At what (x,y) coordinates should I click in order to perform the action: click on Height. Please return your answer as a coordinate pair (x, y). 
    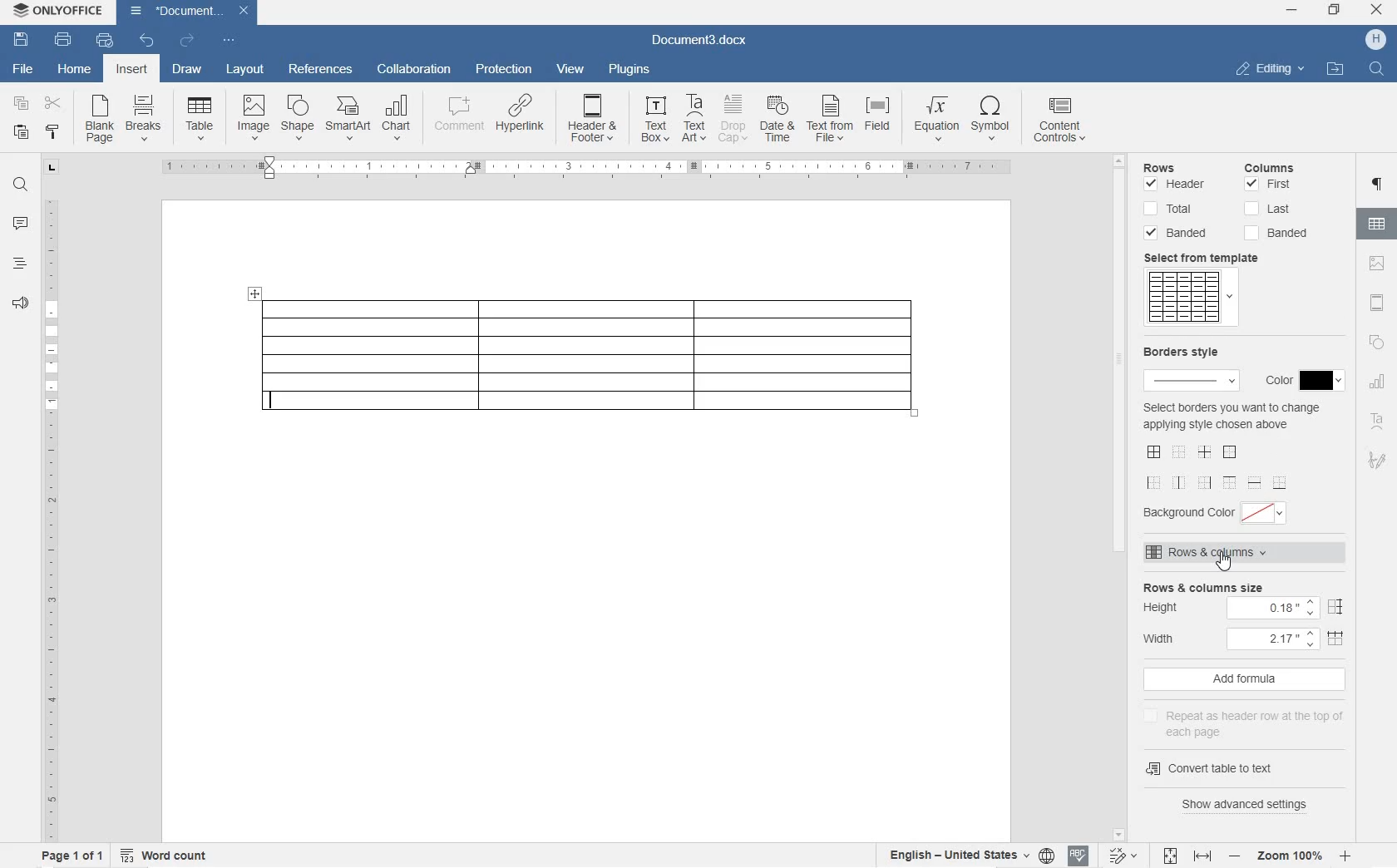
    Looking at the image, I should click on (1246, 608).